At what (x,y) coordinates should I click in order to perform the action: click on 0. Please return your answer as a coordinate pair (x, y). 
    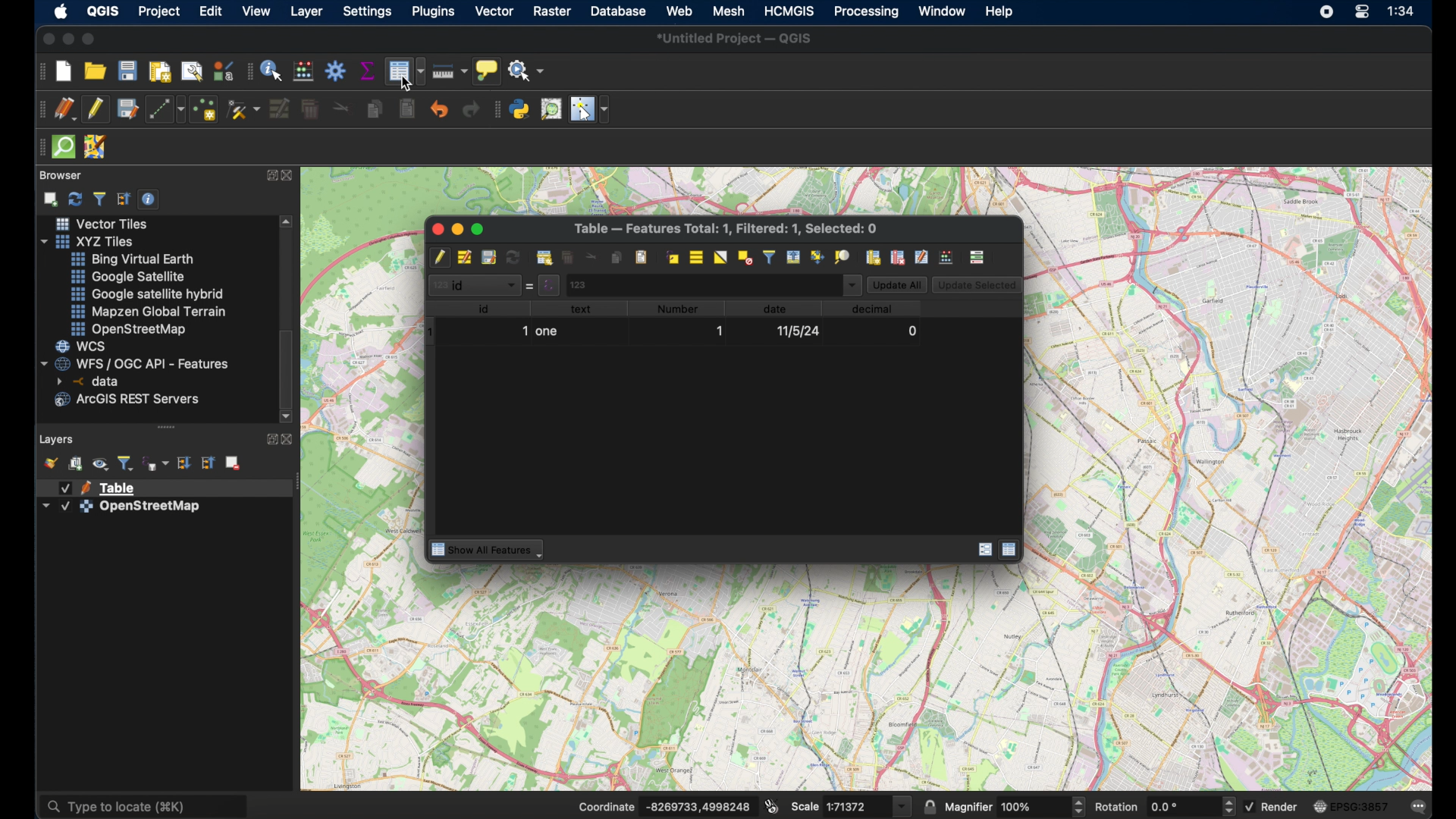
    Looking at the image, I should click on (912, 330).